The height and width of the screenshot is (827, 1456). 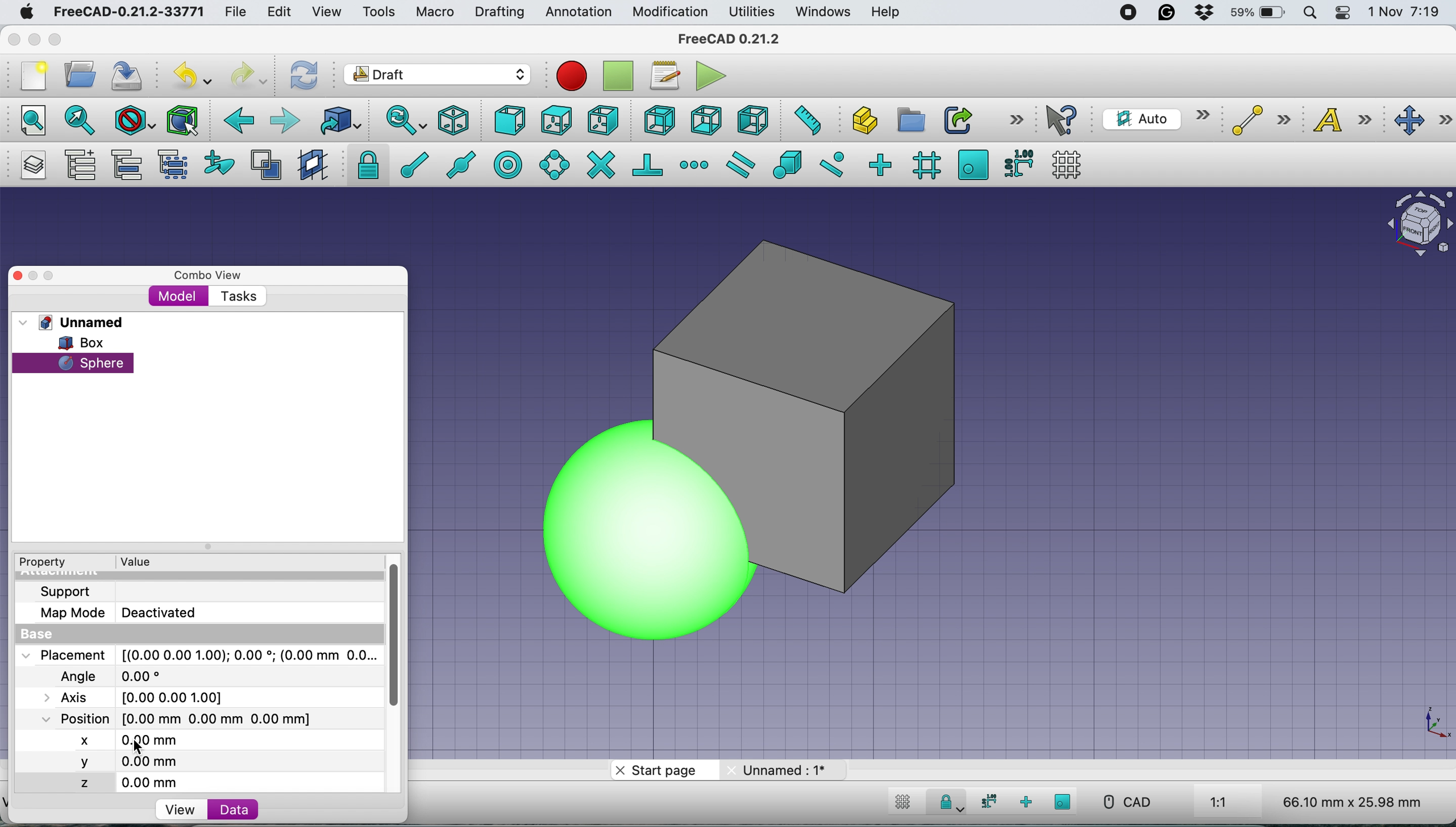 What do you see at coordinates (281, 13) in the screenshot?
I see `edit` at bounding box center [281, 13].